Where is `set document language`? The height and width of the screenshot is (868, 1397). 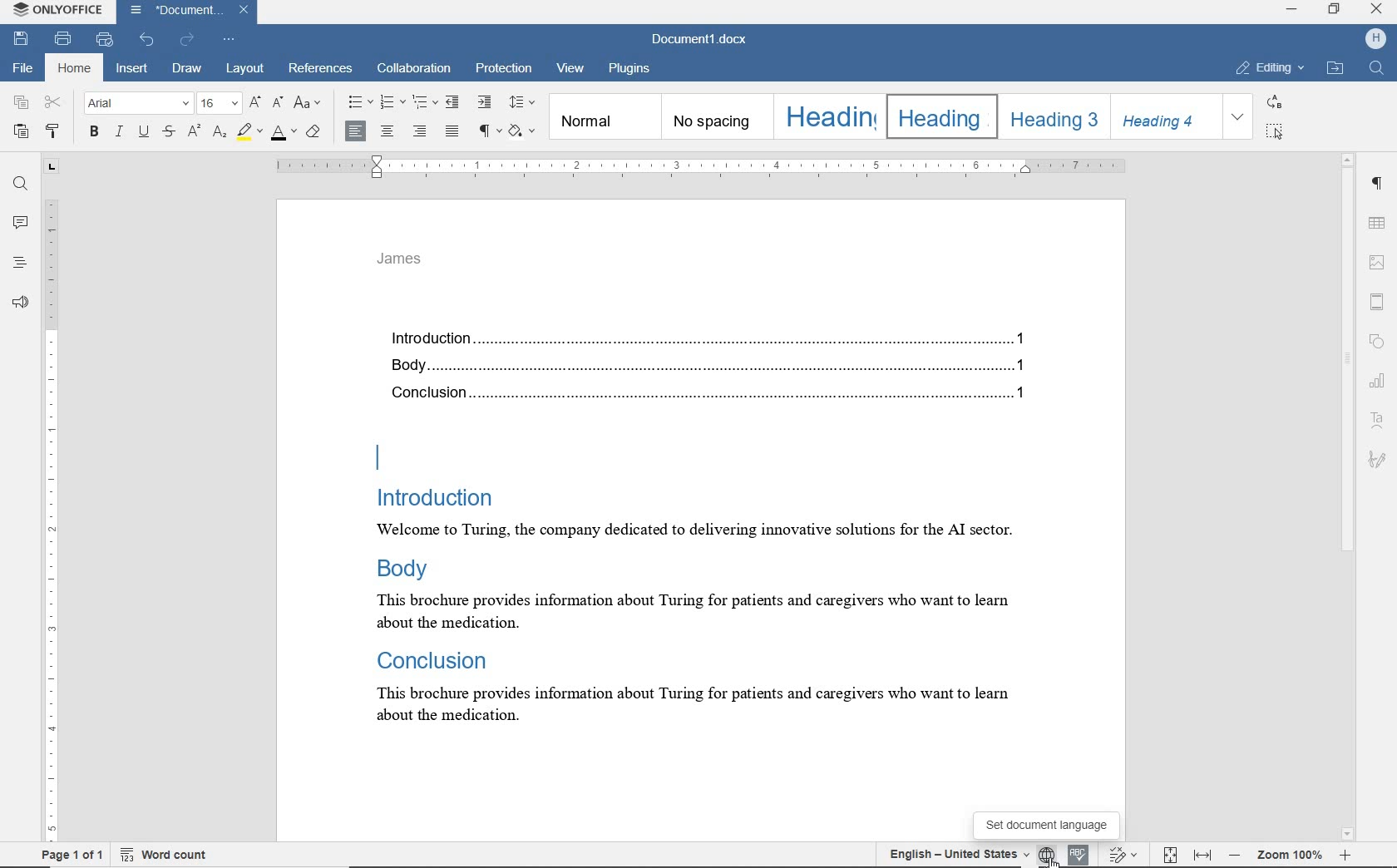 set document language is located at coordinates (1044, 823).